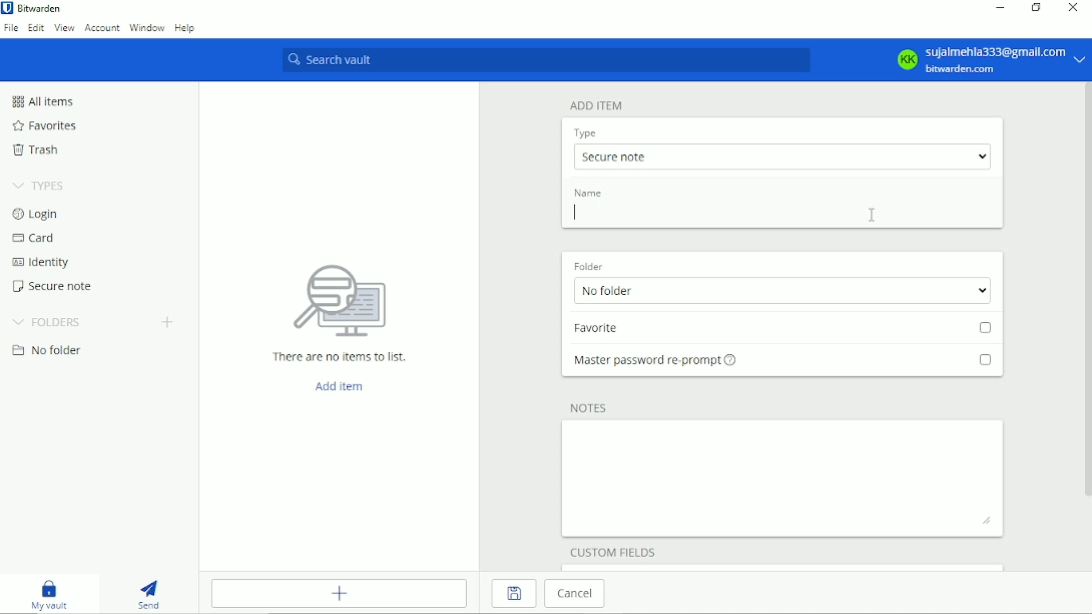 Image resolution: width=1092 pixels, height=614 pixels. What do you see at coordinates (33, 239) in the screenshot?
I see `Card` at bounding box center [33, 239].